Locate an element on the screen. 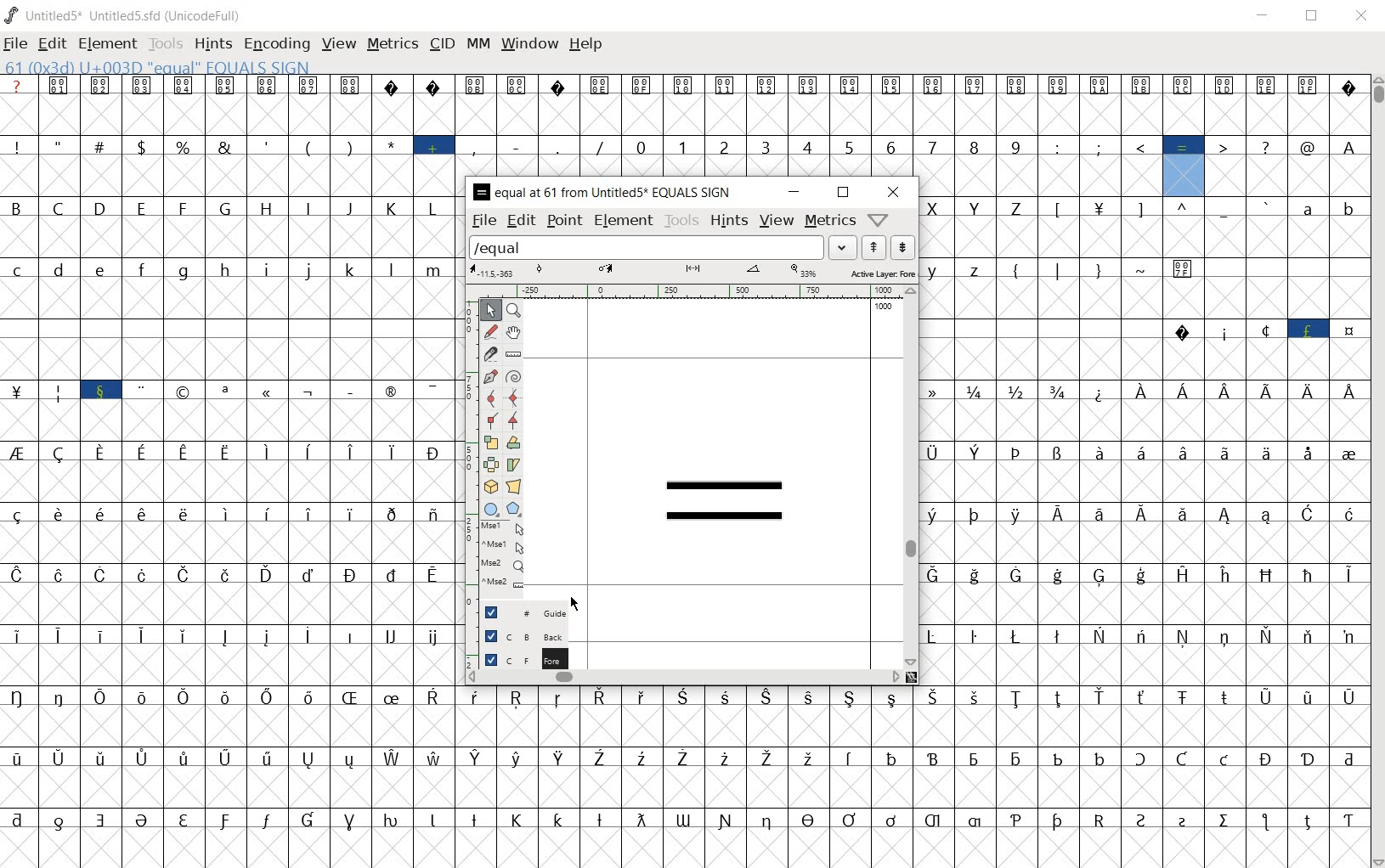 The height and width of the screenshot is (868, 1385). mse1 mse1 mse2 mse2 is located at coordinates (500, 558).